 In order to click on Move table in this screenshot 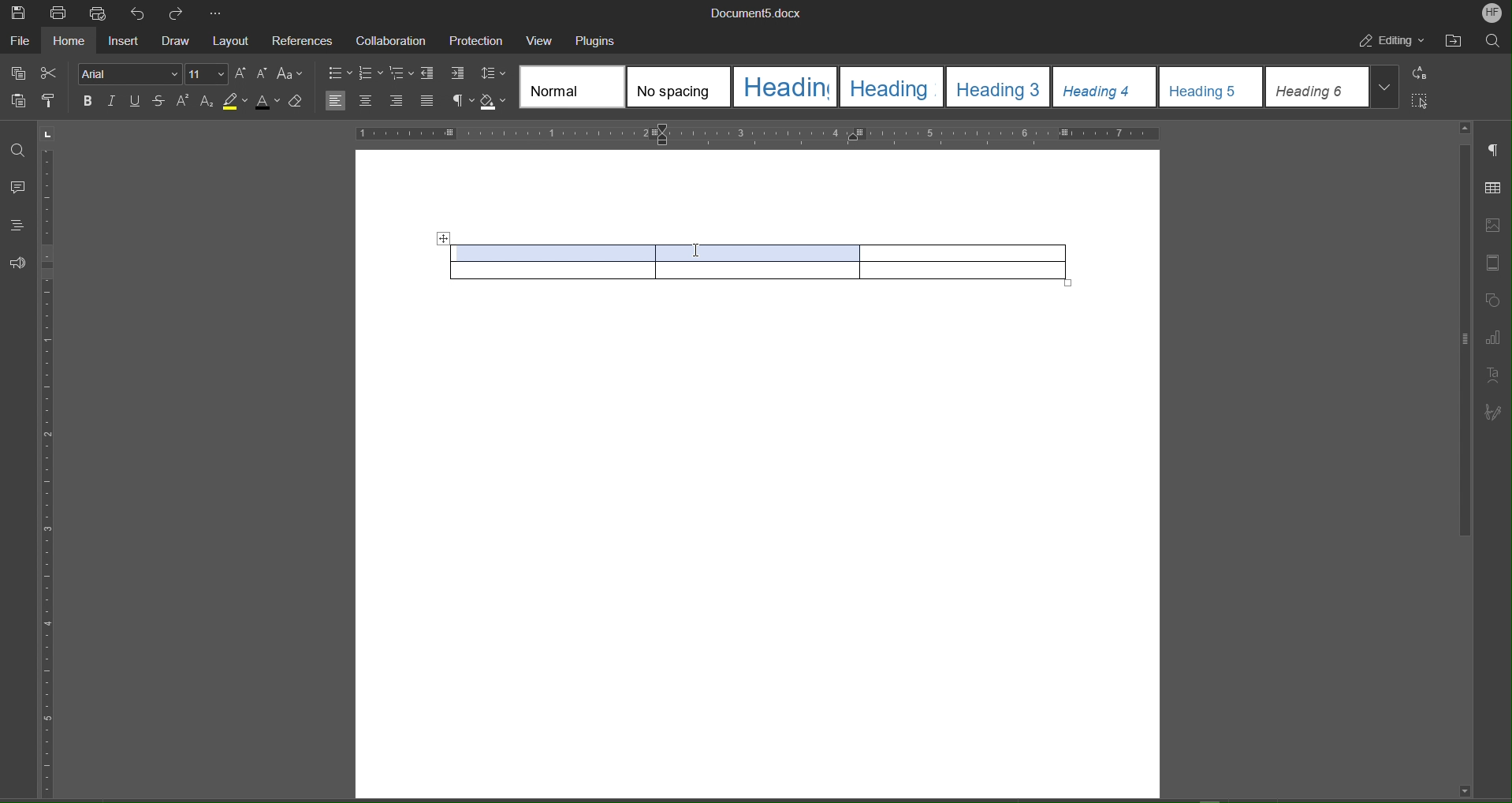, I will do `click(442, 239)`.